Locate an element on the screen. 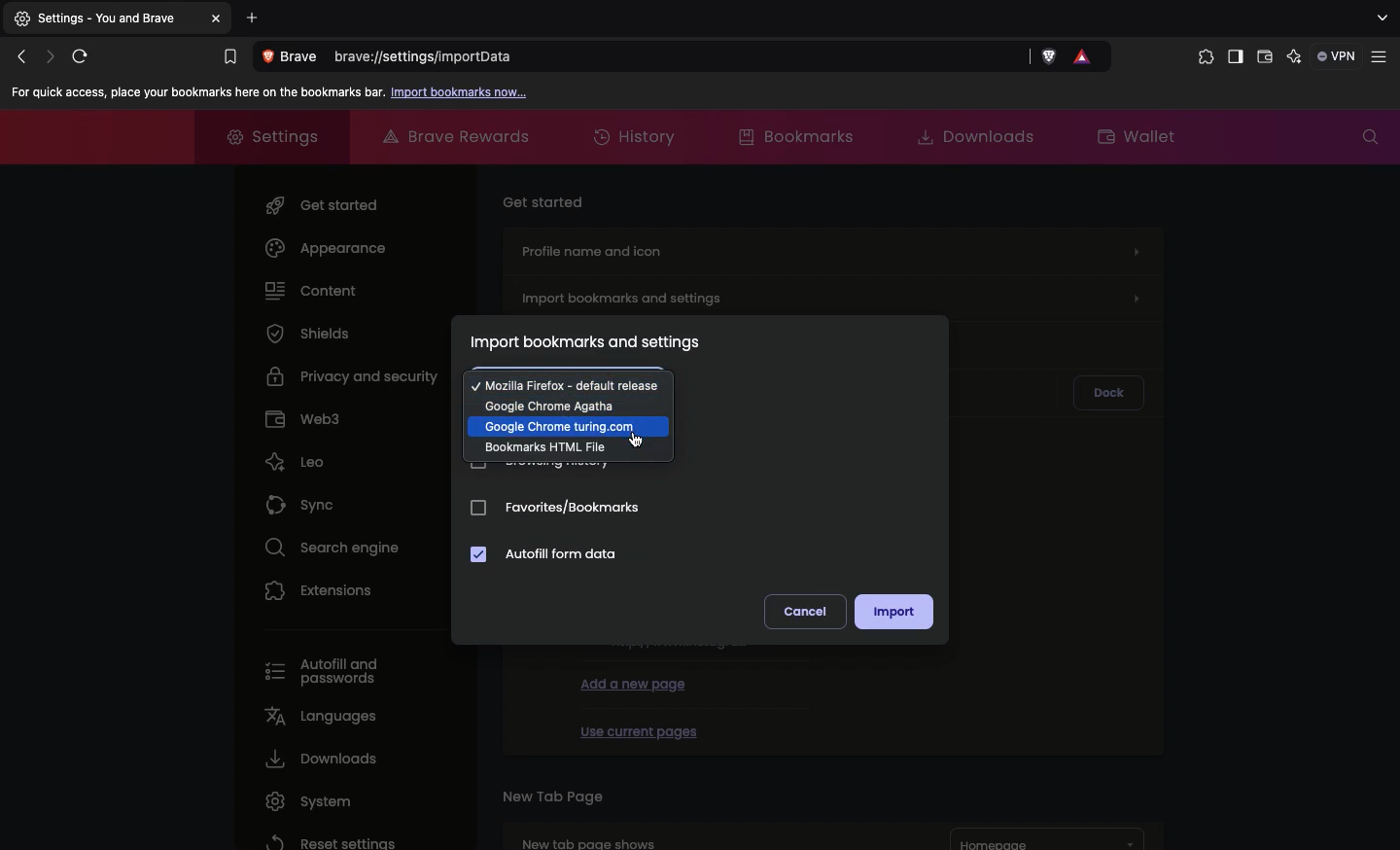 This screenshot has height=850, width=1400. History is located at coordinates (638, 138).